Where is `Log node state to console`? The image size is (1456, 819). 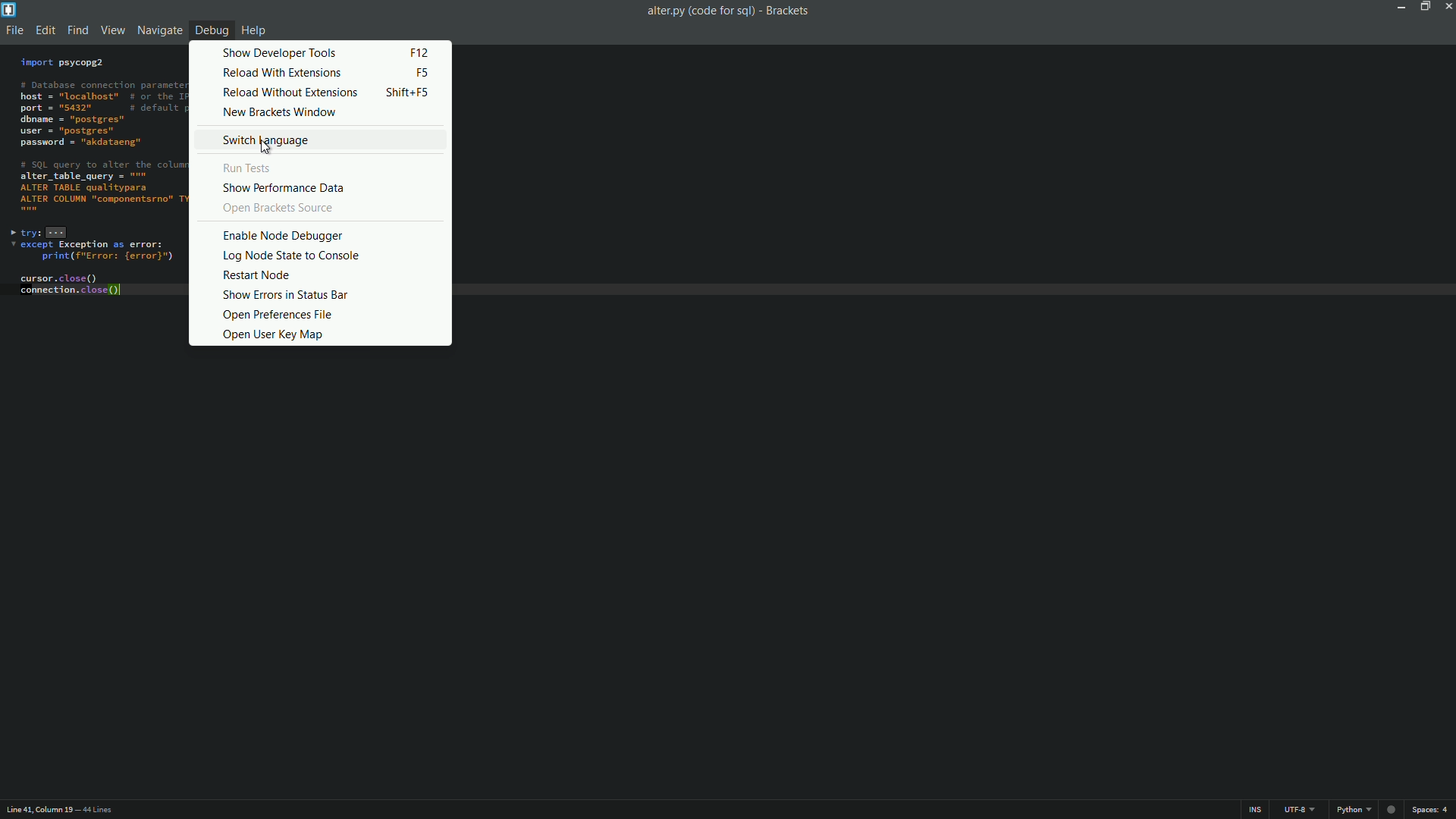
Log node state to console is located at coordinates (290, 256).